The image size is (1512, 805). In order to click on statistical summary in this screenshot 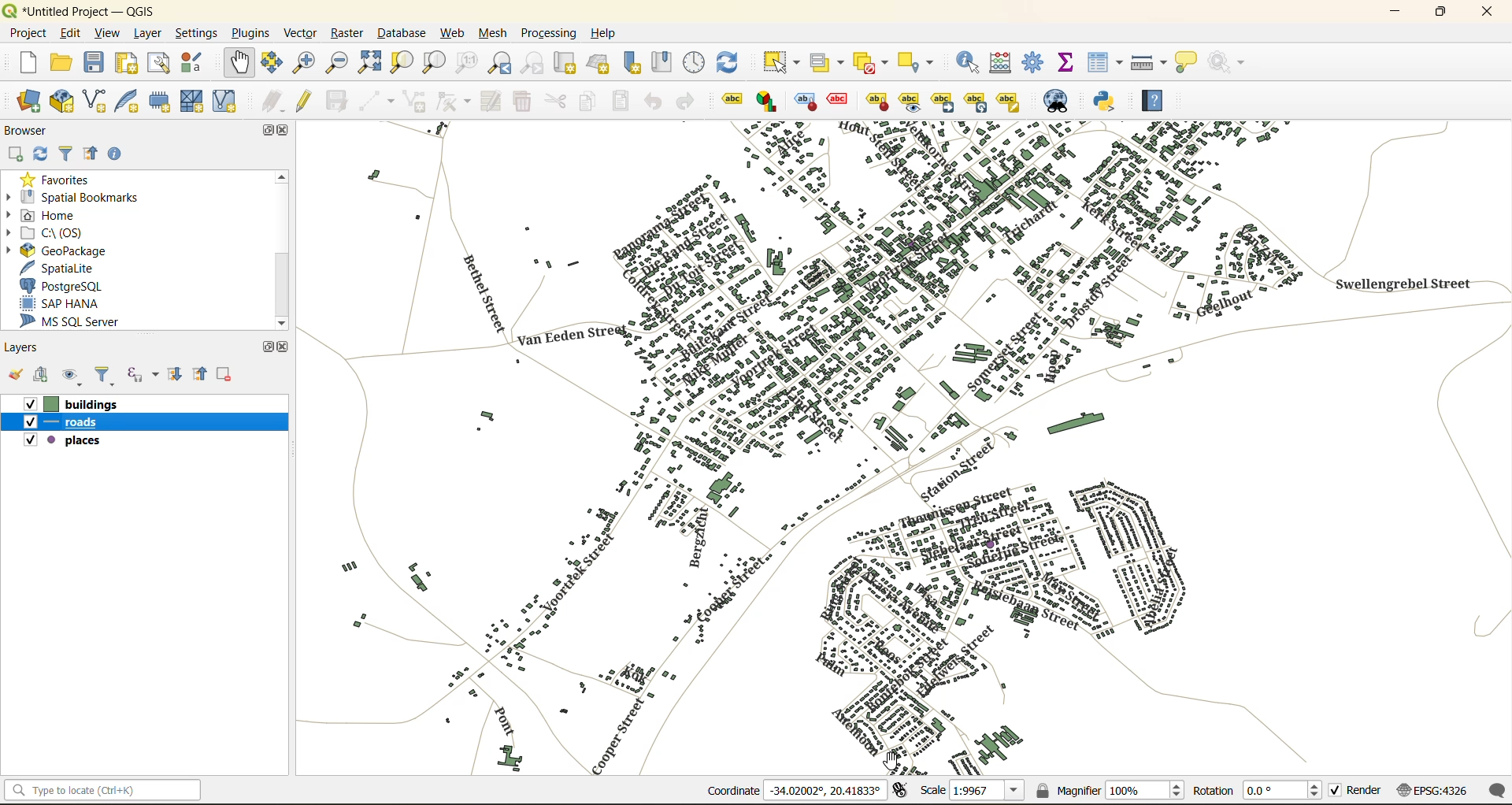, I will do `click(1068, 63)`.